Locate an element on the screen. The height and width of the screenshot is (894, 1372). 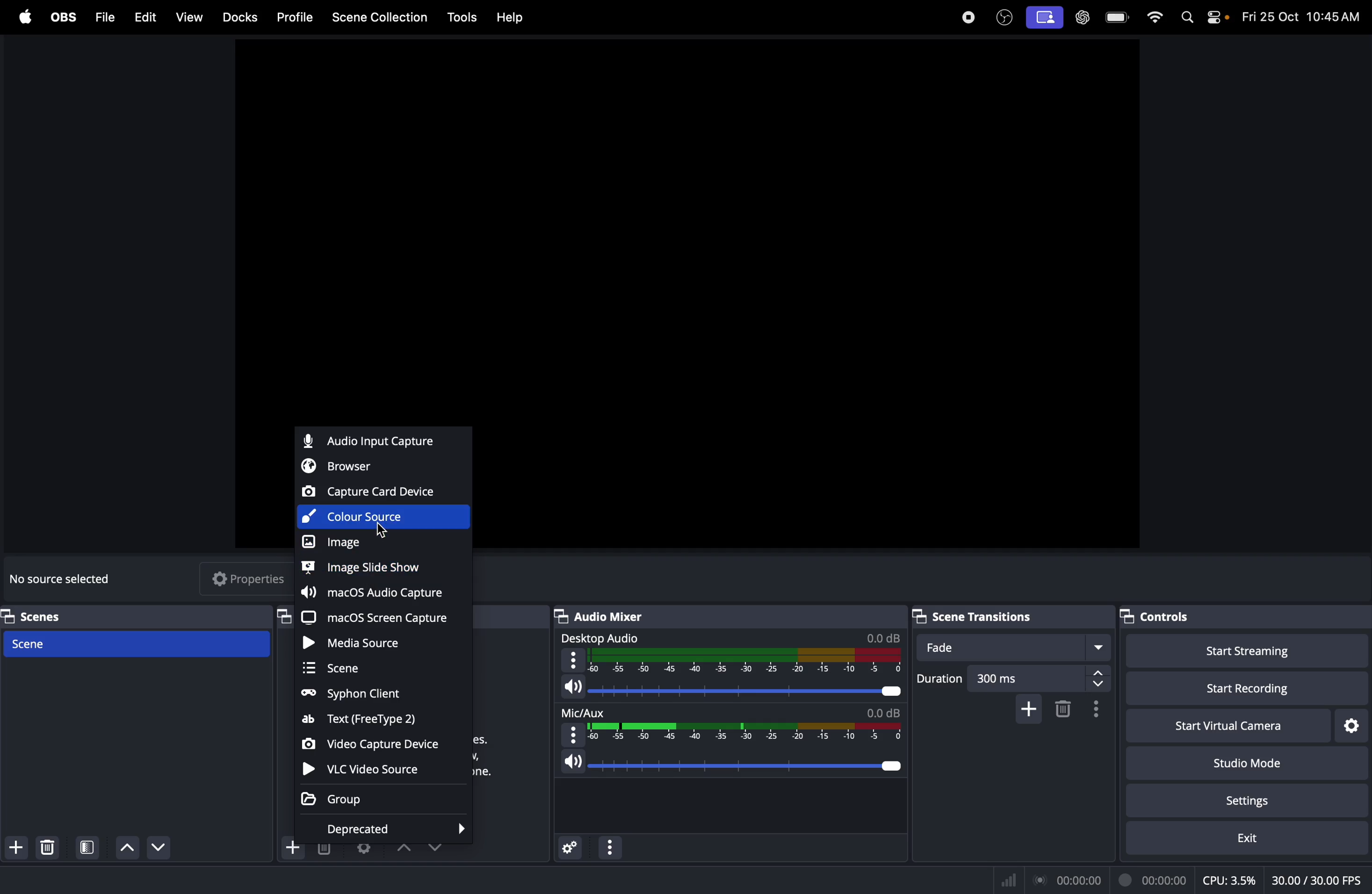
desktop audio is located at coordinates (733, 661).